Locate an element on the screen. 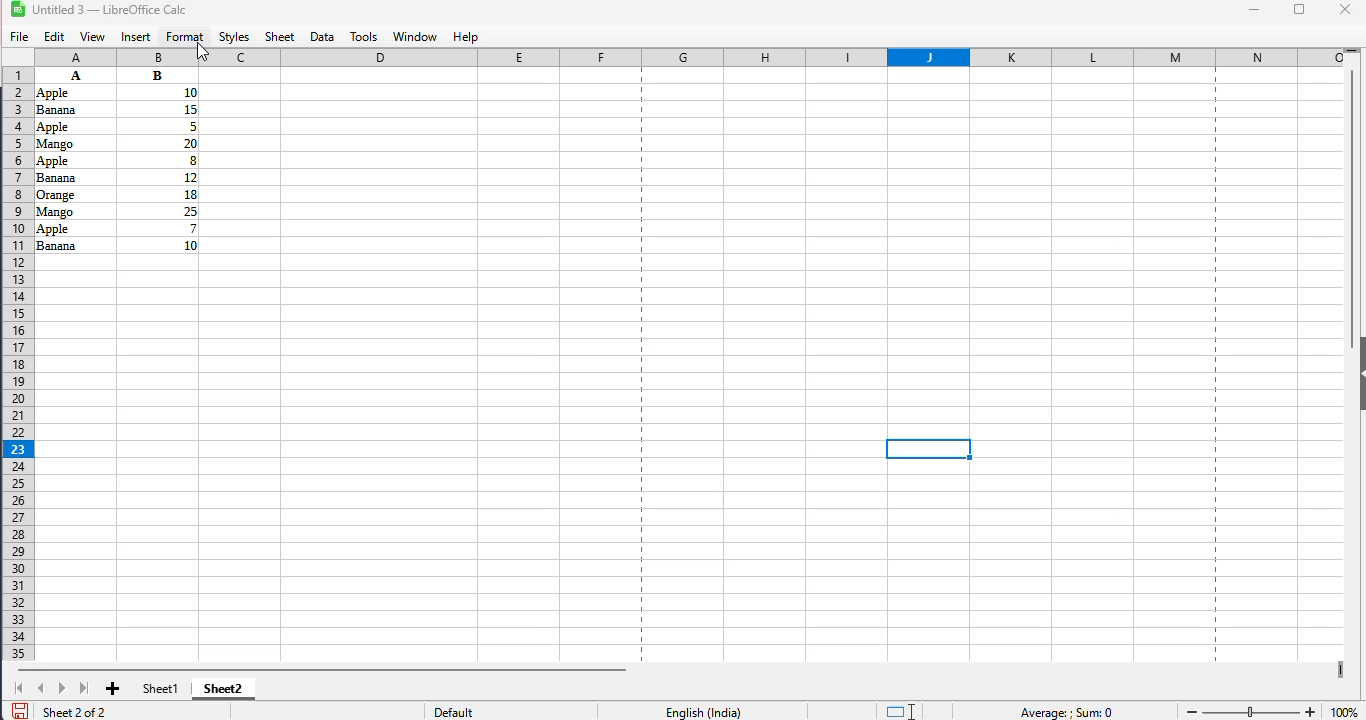 This screenshot has width=1366, height=720. view is located at coordinates (92, 37).